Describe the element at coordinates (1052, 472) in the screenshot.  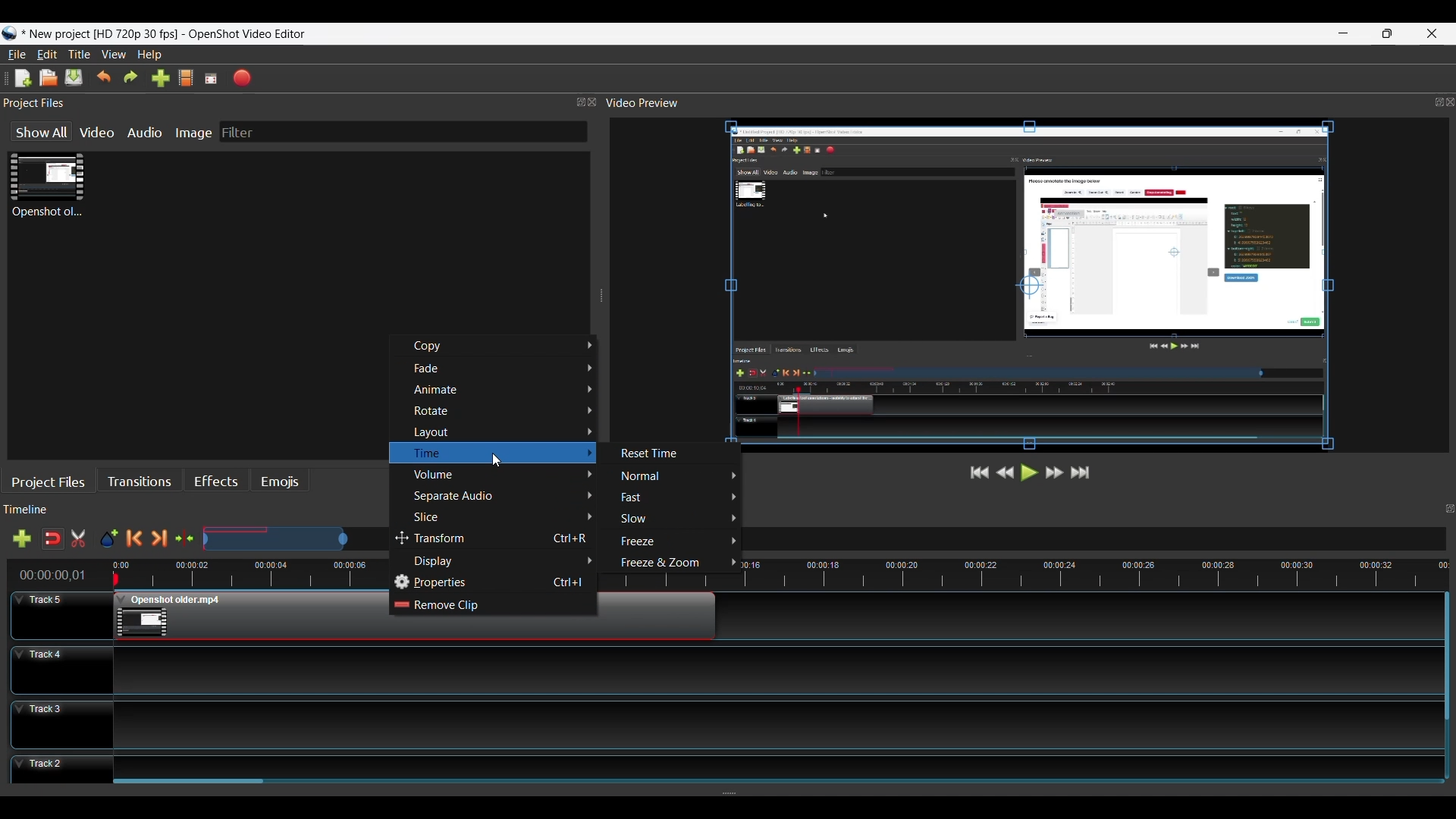
I see `Fast Forward` at that location.